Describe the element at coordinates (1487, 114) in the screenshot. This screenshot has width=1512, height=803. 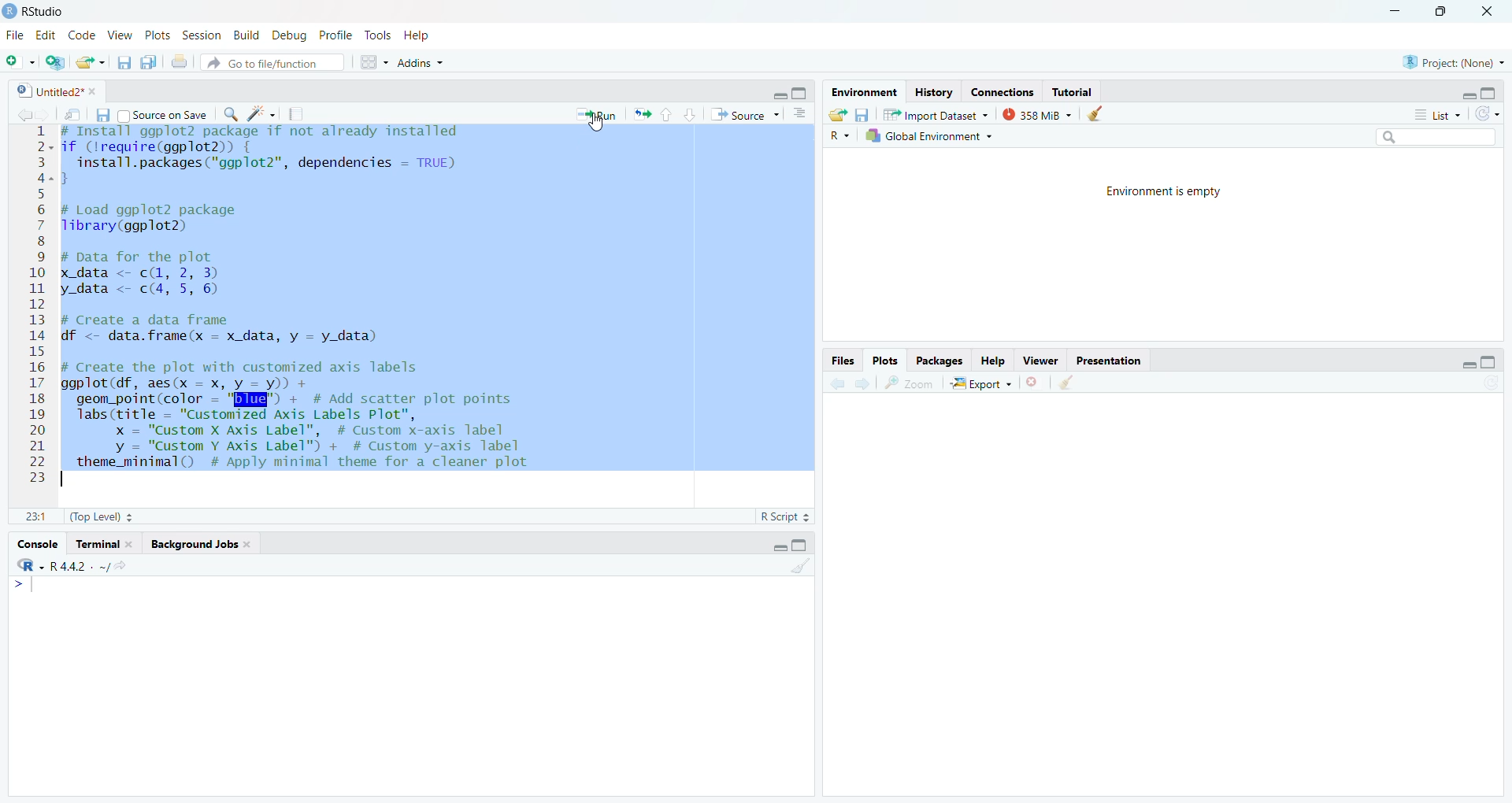
I see `refresh` at that location.